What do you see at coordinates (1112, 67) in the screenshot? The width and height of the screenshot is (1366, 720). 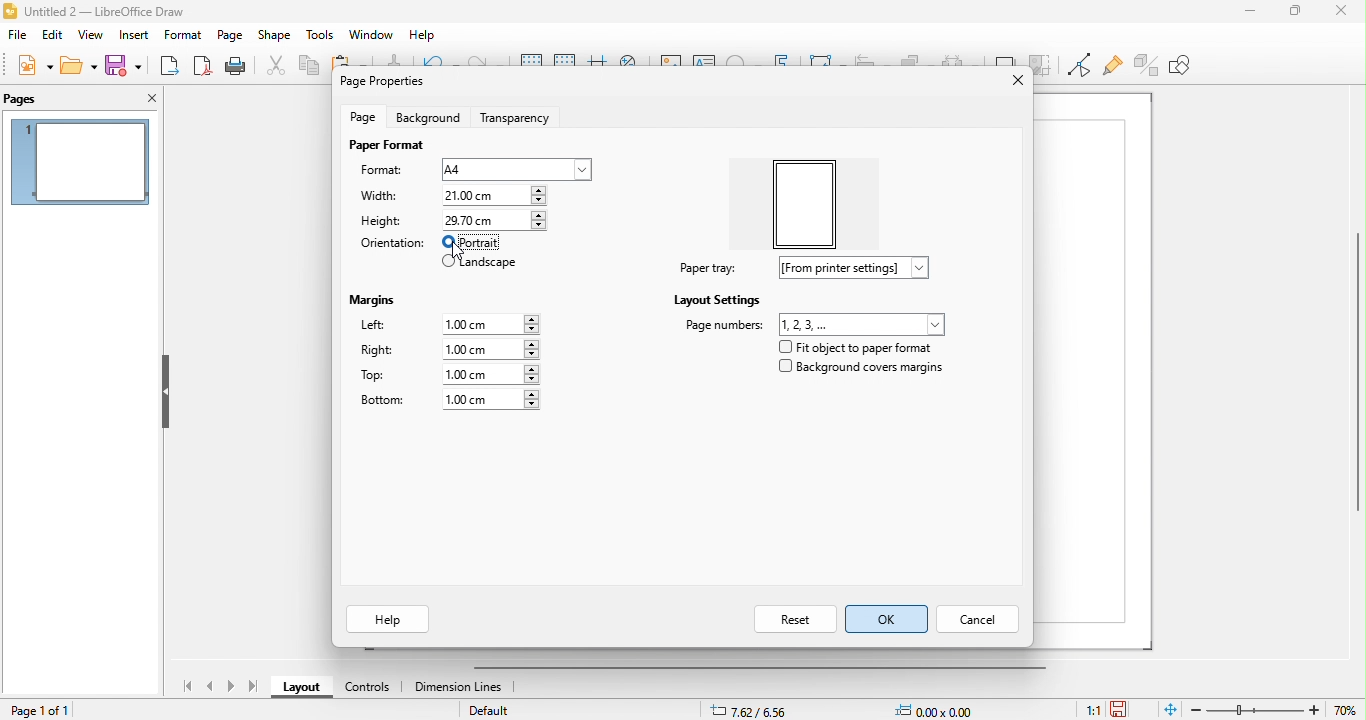 I see `show gulepoint functions` at bounding box center [1112, 67].